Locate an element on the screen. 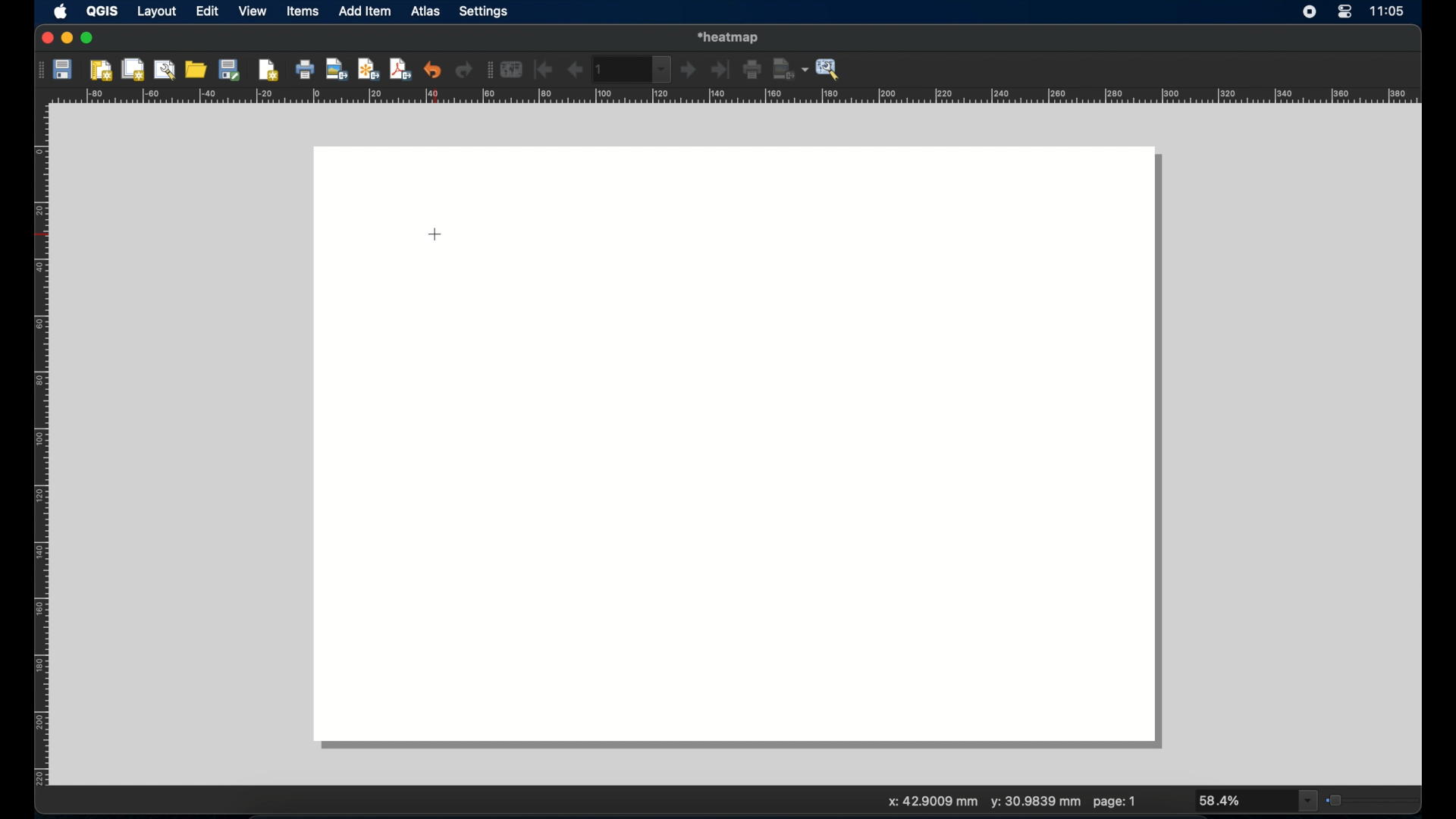 Image resolution: width=1456 pixels, height=819 pixels. save project is located at coordinates (64, 71).